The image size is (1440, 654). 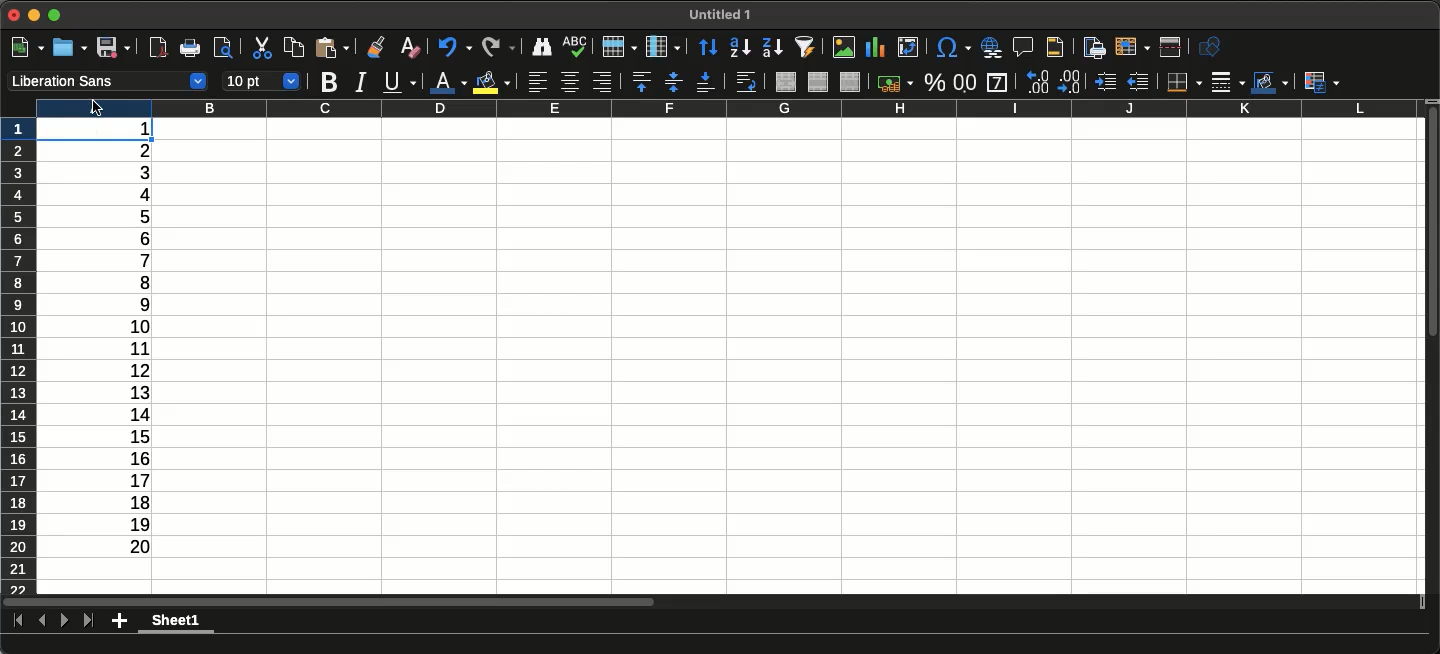 I want to click on 18, so click(x=124, y=501).